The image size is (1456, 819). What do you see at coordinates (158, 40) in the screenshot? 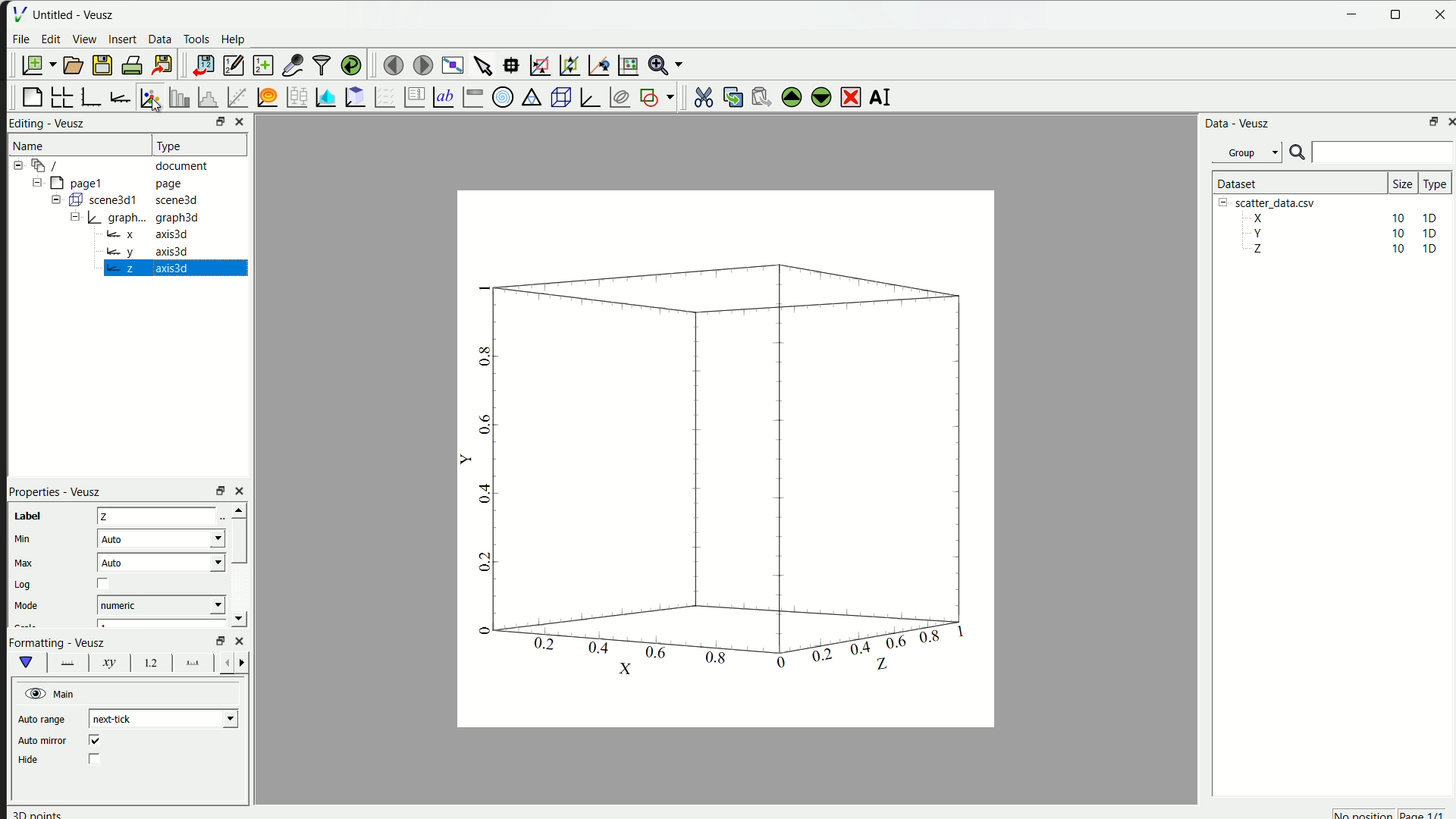
I see `Data` at bounding box center [158, 40].